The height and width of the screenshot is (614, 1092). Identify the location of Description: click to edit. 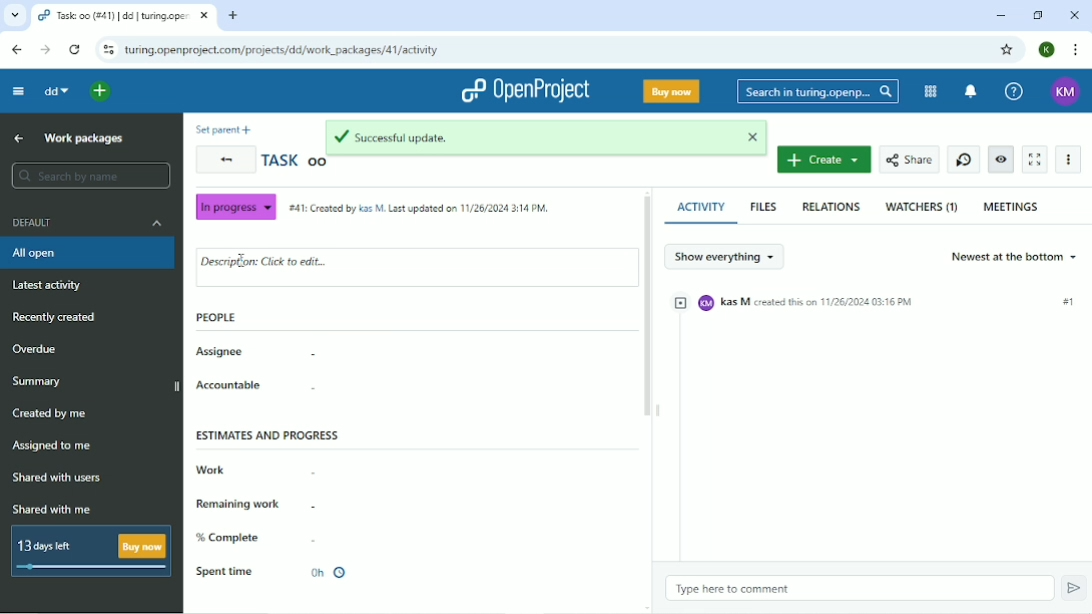
(267, 263).